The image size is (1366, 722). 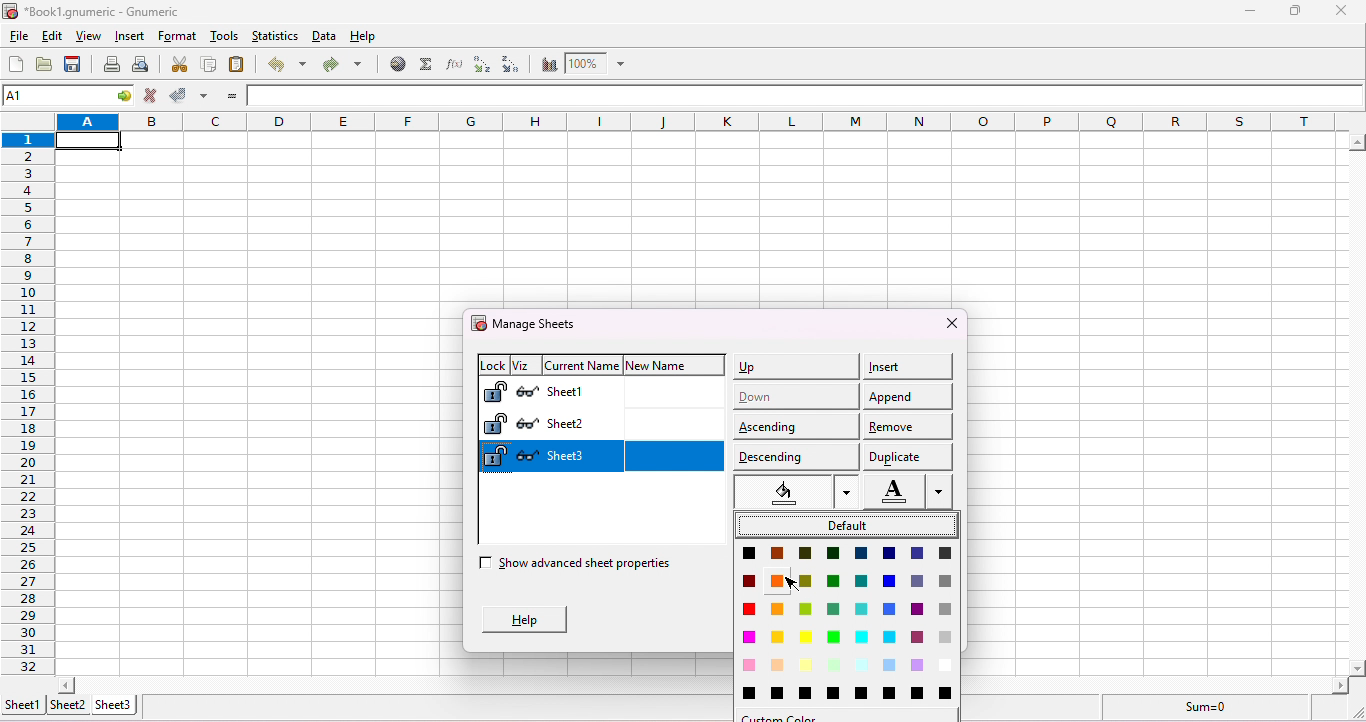 What do you see at coordinates (285, 65) in the screenshot?
I see `undo` at bounding box center [285, 65].